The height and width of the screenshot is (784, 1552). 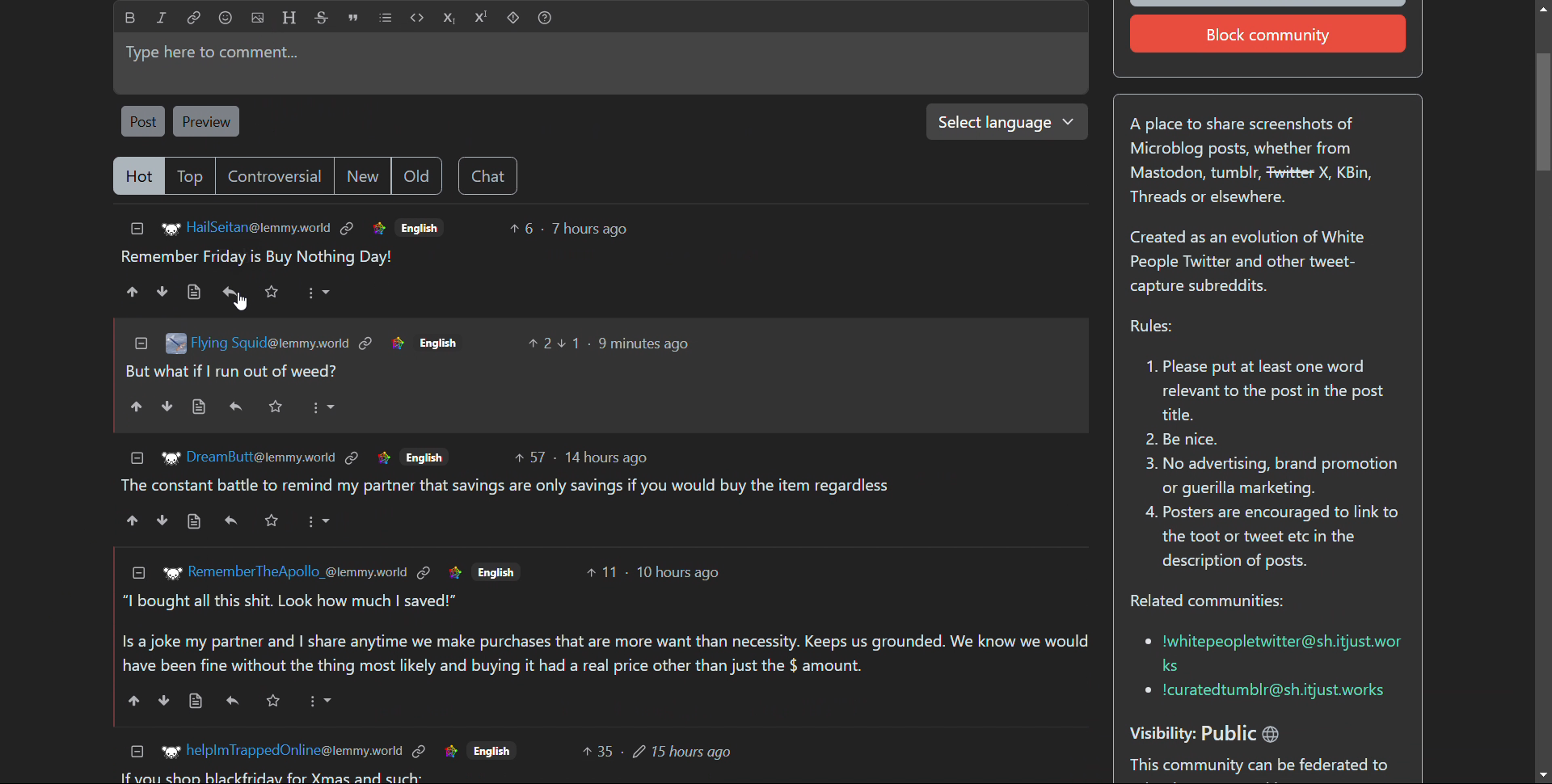 I want to click on top, so click(x=192, y=176).